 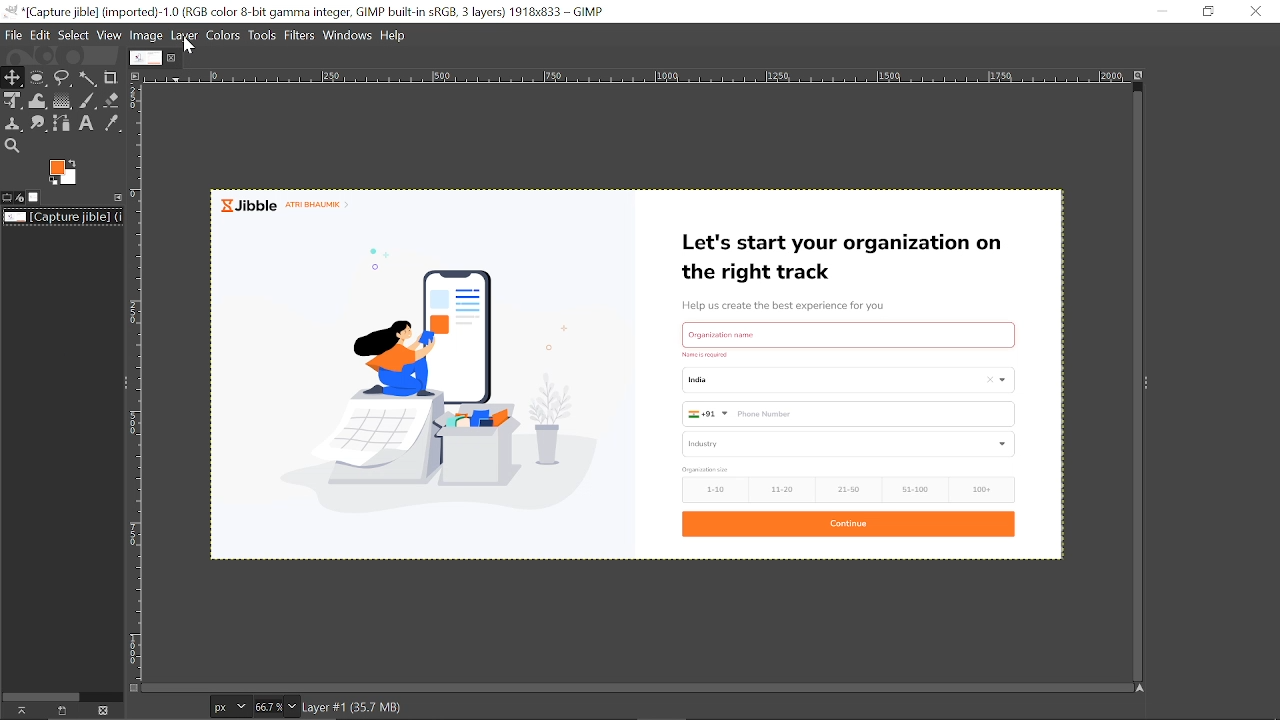 What do you see at coordinates (39, 101) in the screenshot?
I see `Wrap text tool` at bounding box center [39, 101].